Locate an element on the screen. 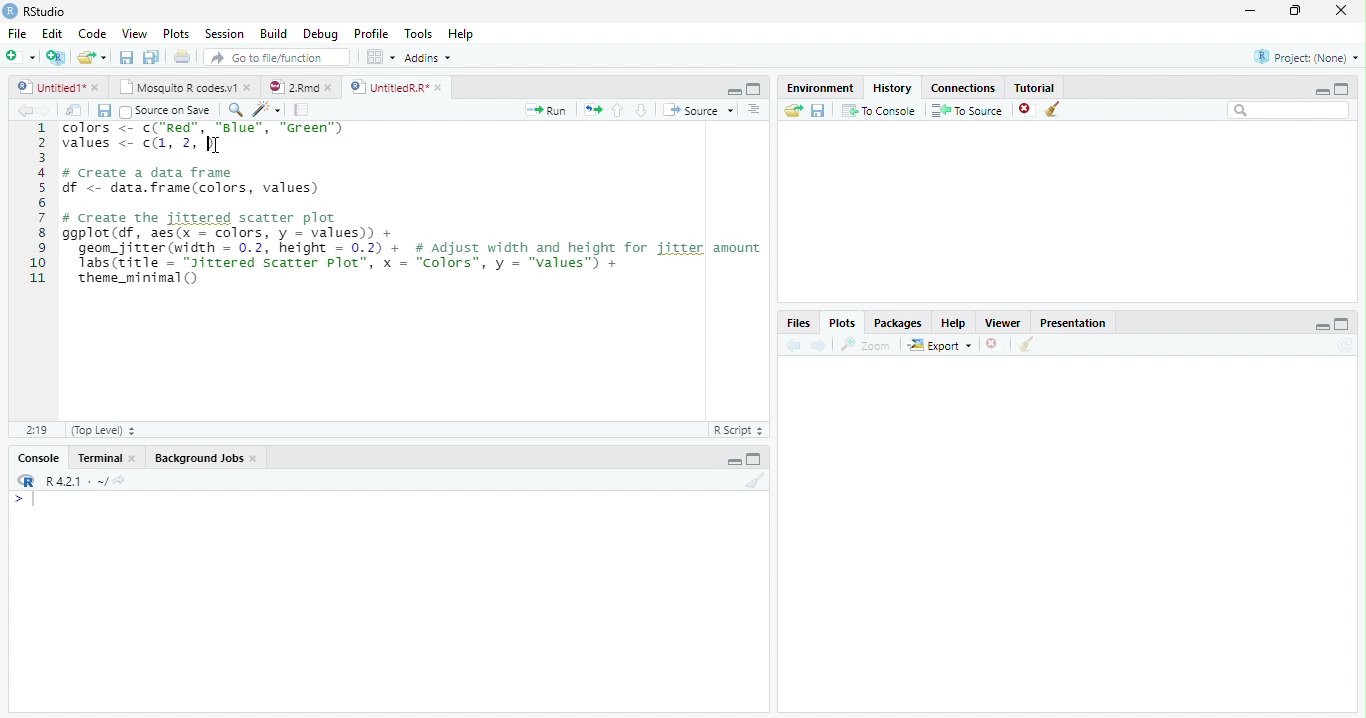 This screenshot has height=718, width=1366. Compile Report is located at coordinates (302, 111).